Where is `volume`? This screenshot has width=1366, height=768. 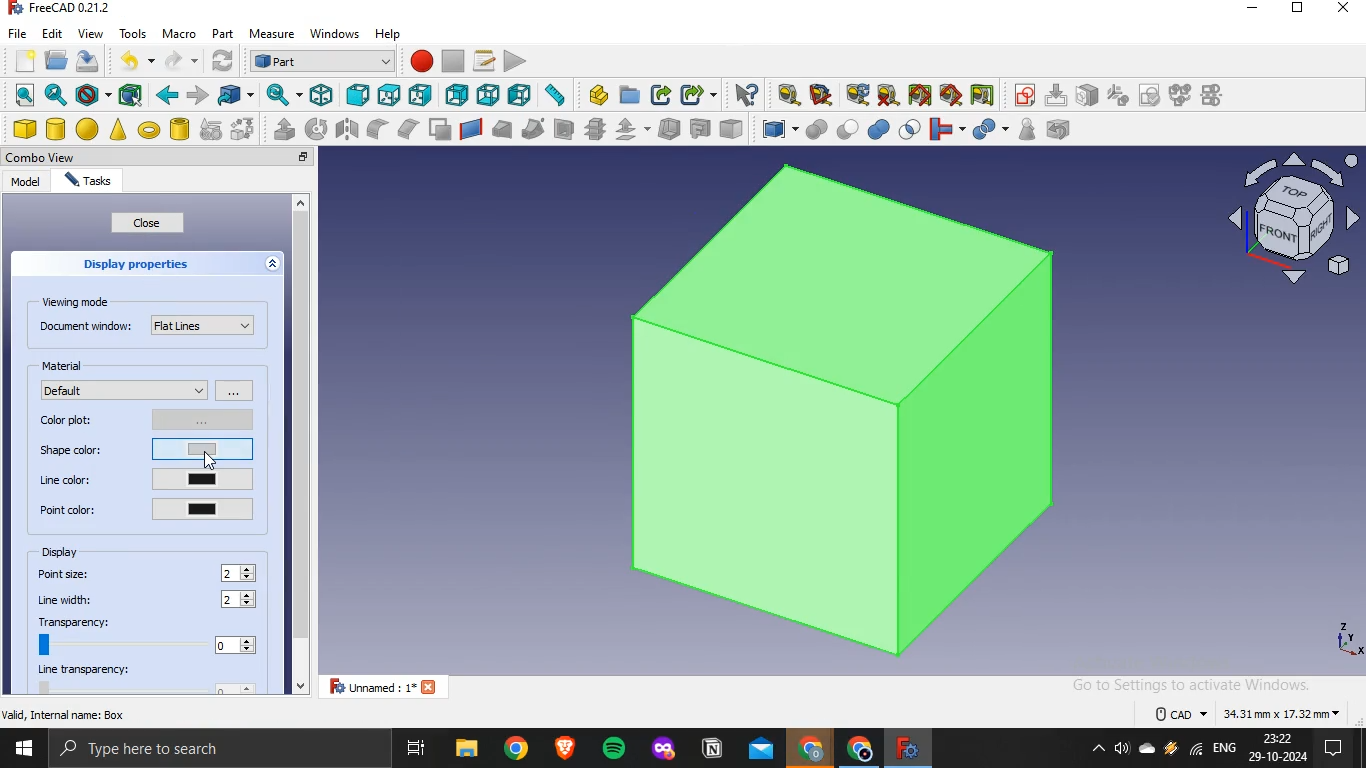 volume is located at coordinates (1121, 750).